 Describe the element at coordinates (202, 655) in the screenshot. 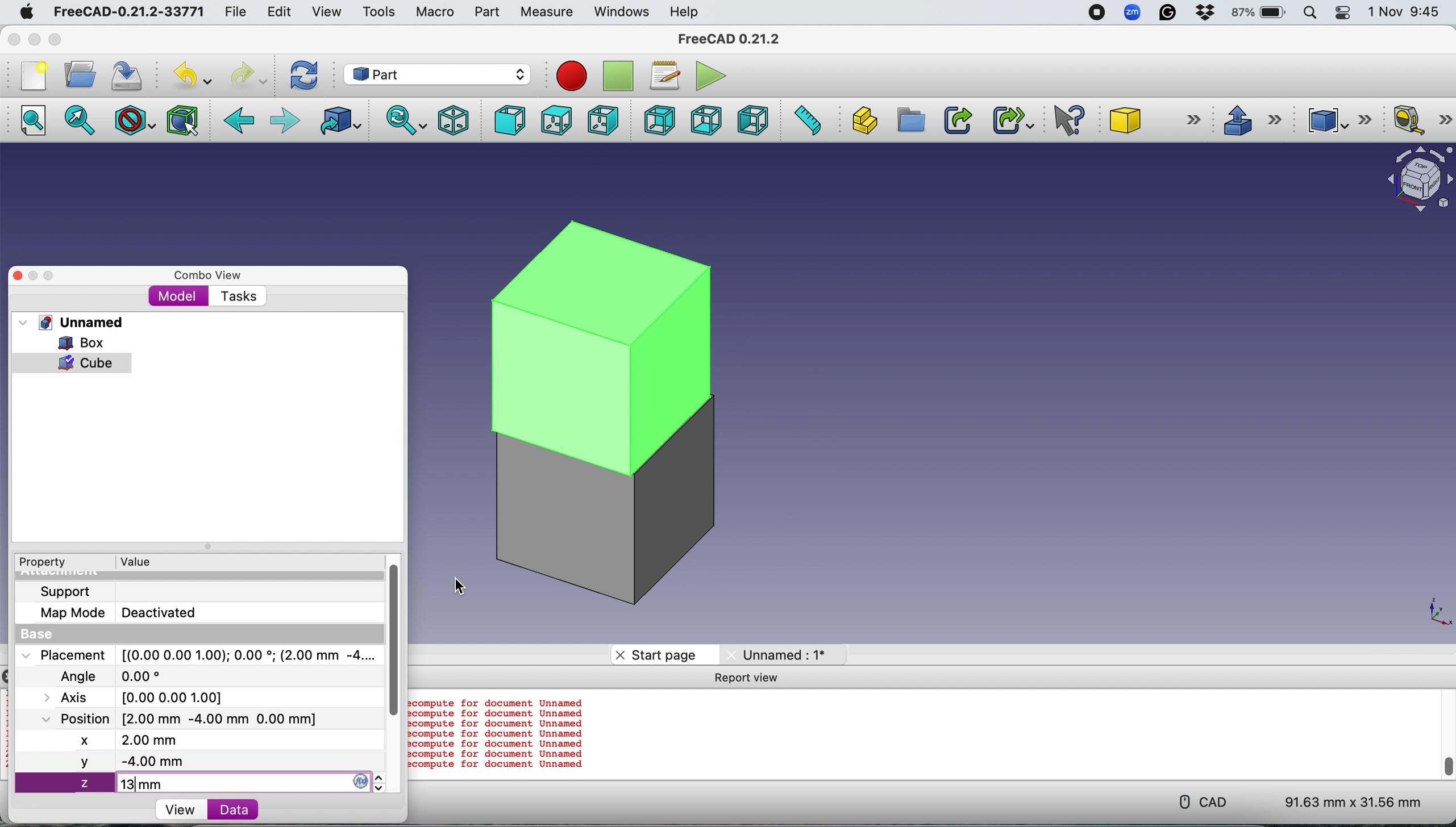

I see `Placement` at that location.